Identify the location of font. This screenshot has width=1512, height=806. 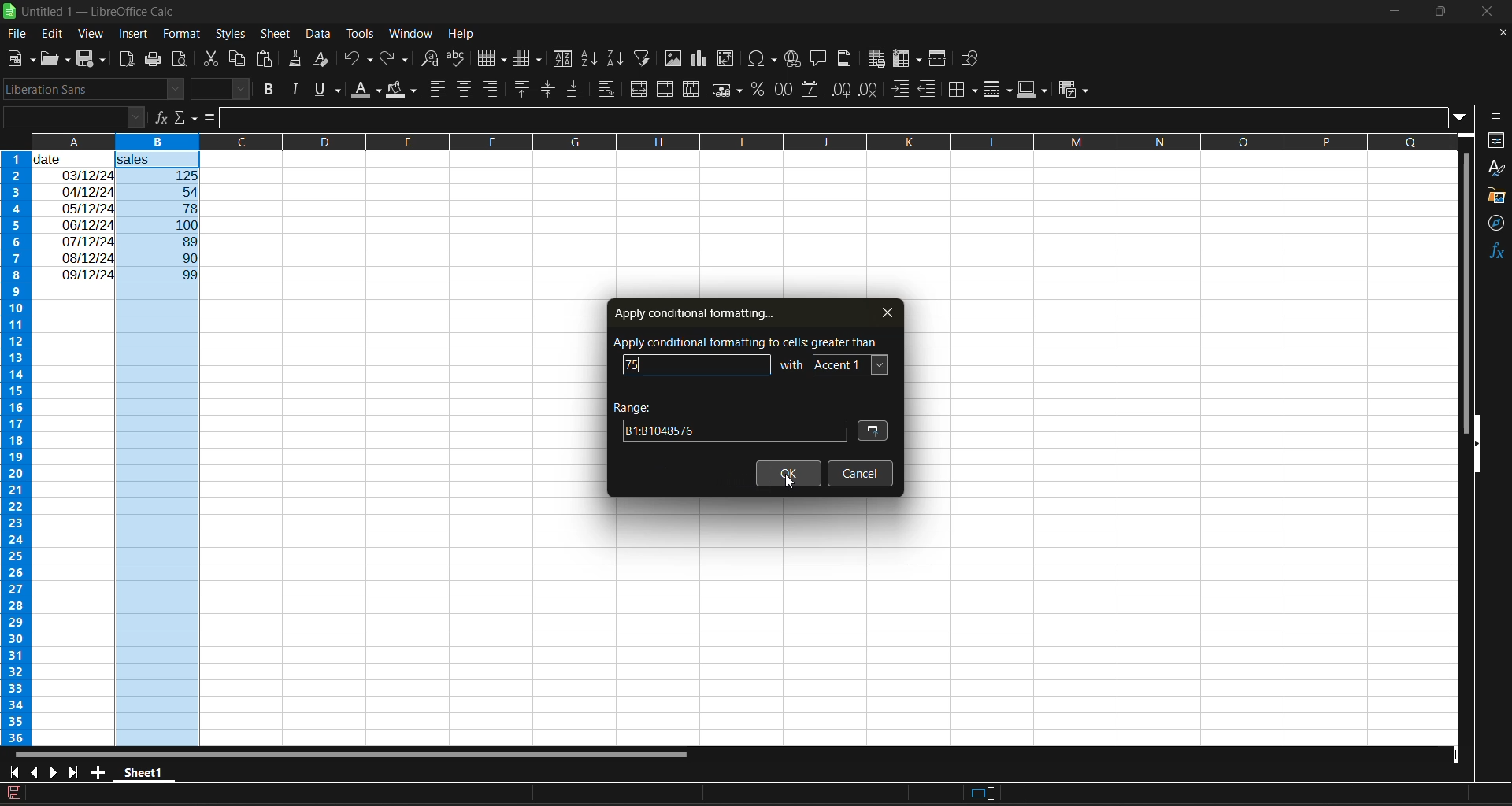
(851, 363).